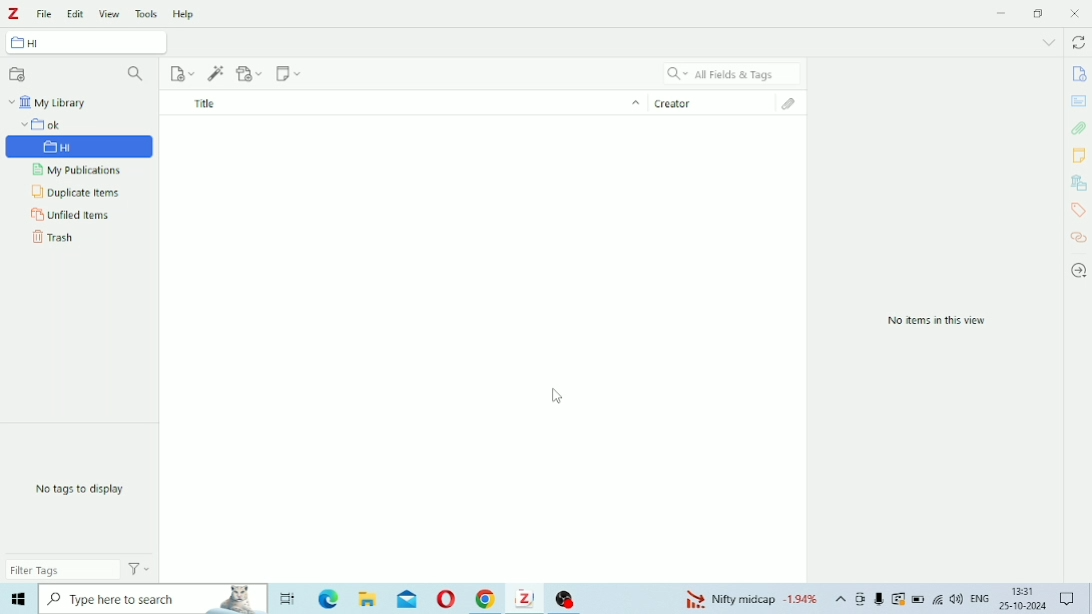 The height and width of the screenshot is (614, 1092). I want to click on New Item, so click(183, 74).